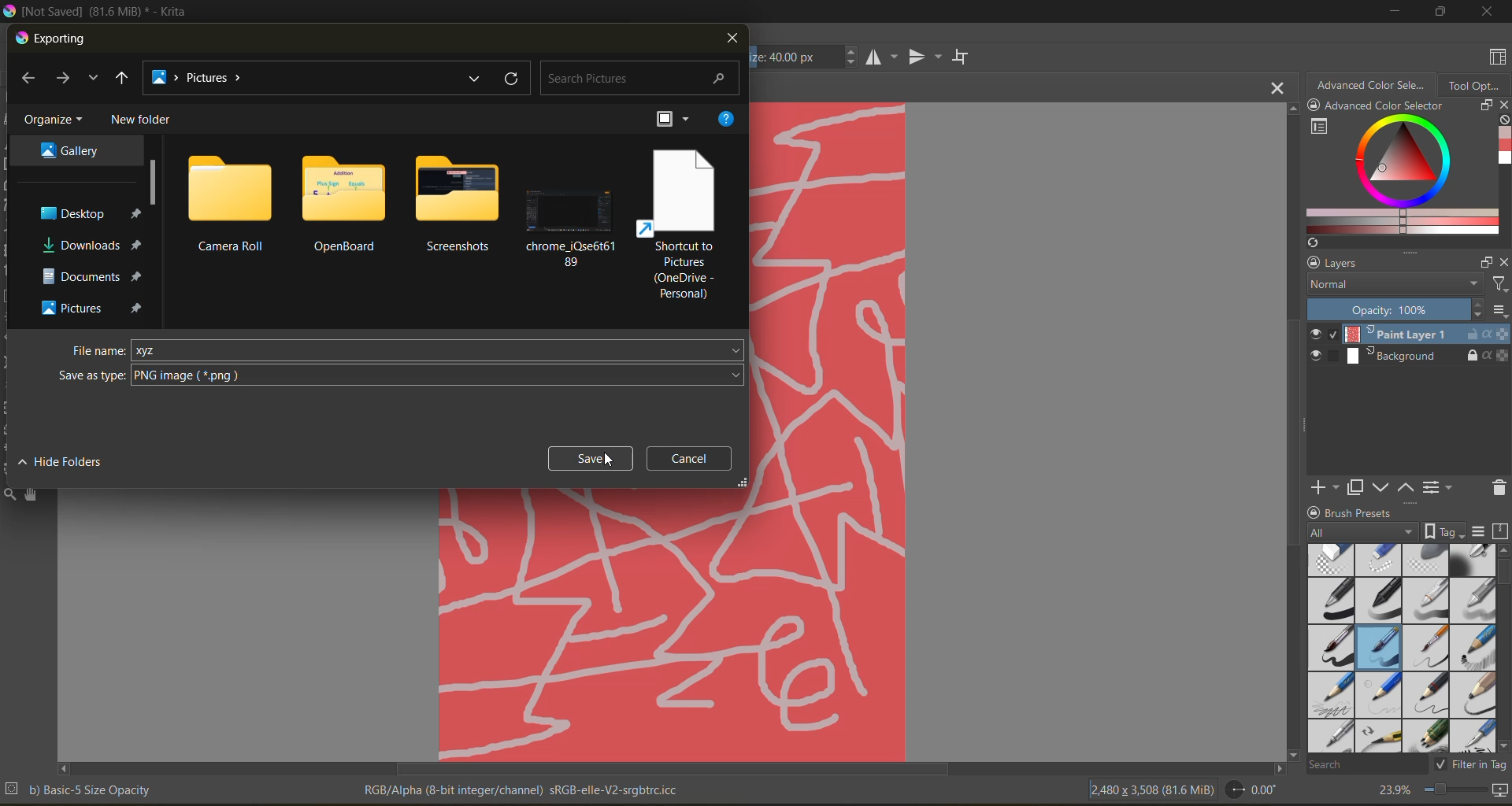 The image size is (1512, 806). I want to click on Advanced color selector, so click(1384, 107).